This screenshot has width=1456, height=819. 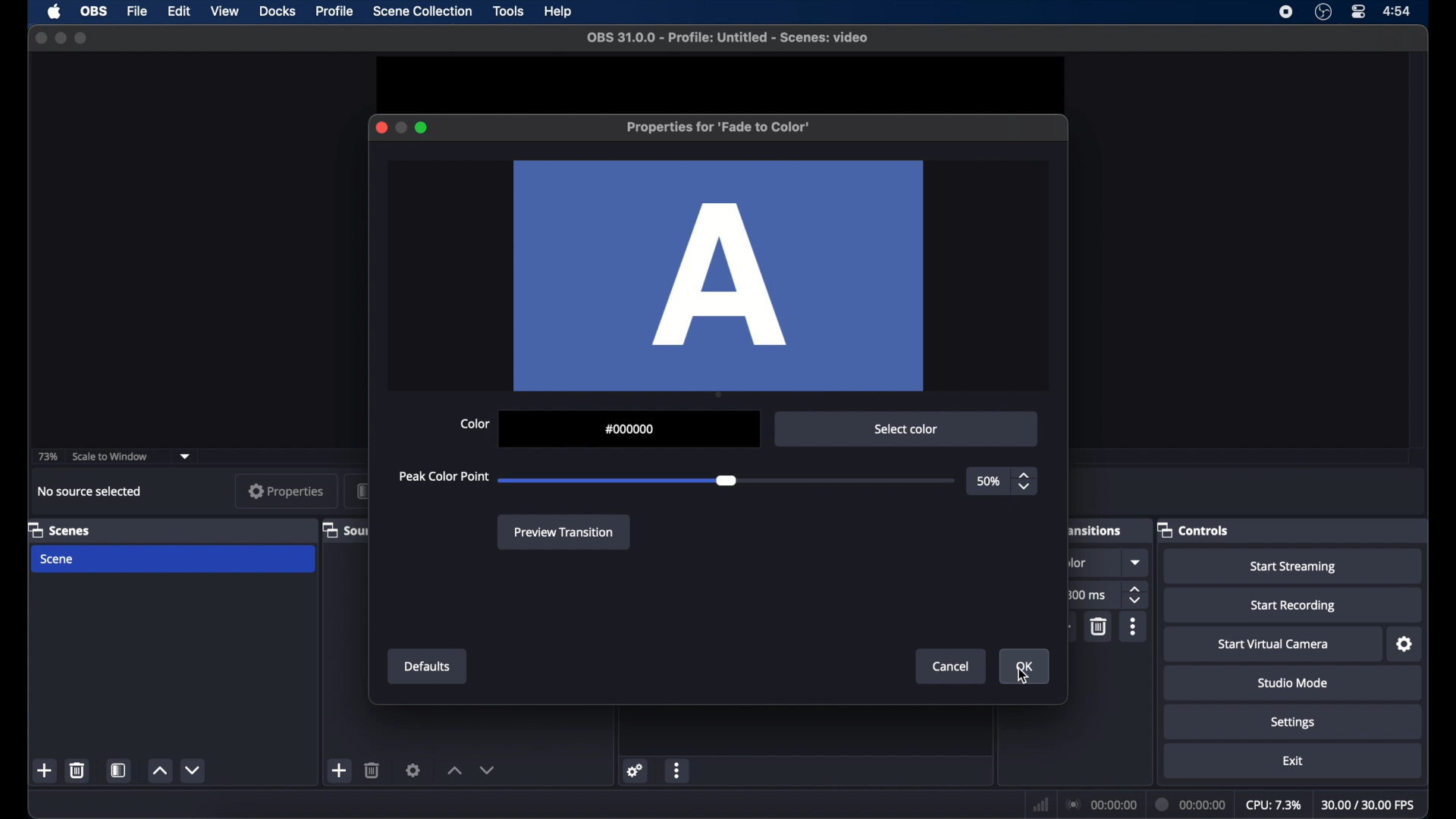 I want to click on peak color point, so click(x=444, y=477).